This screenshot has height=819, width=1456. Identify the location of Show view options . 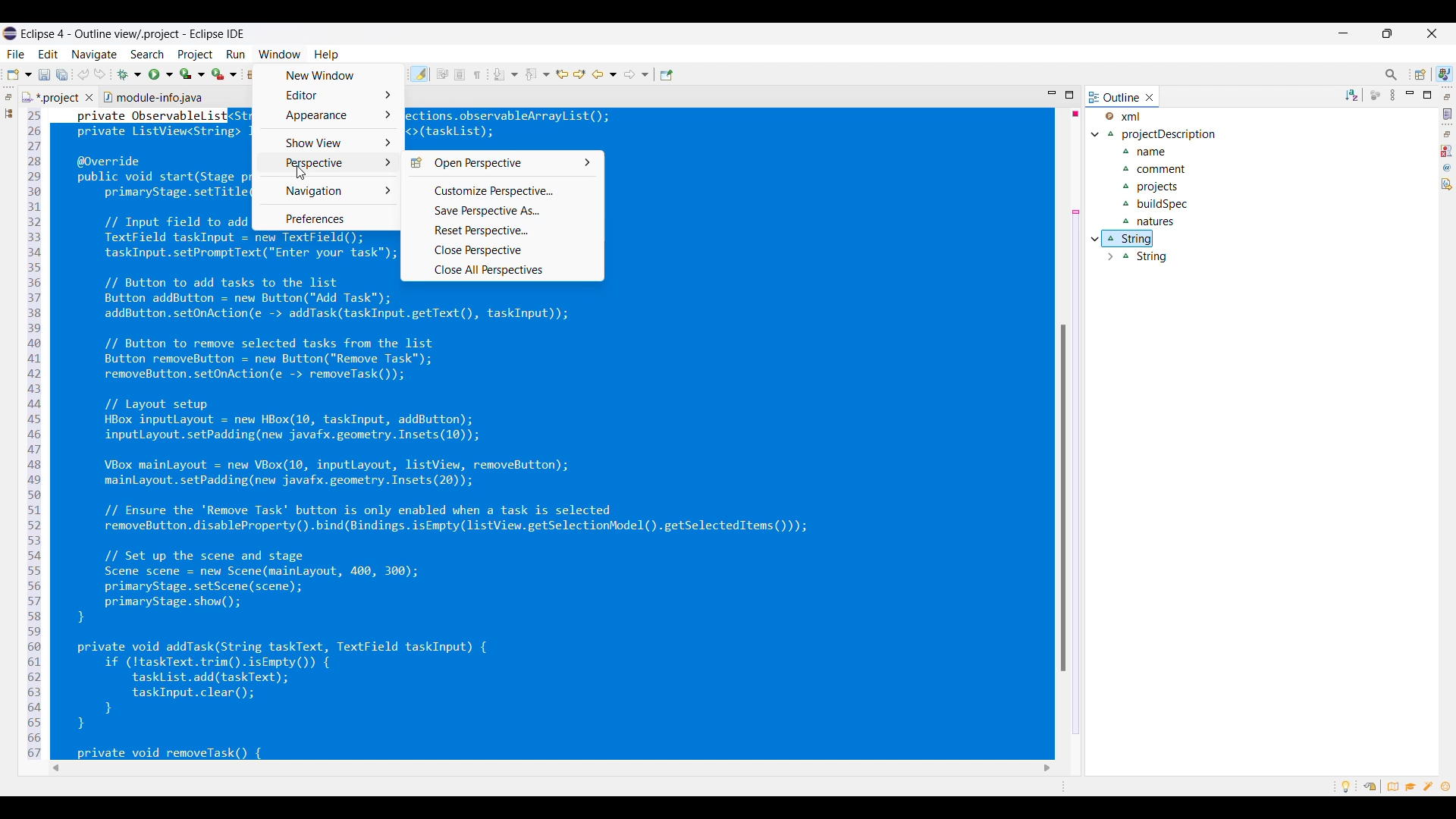
(329, 143).